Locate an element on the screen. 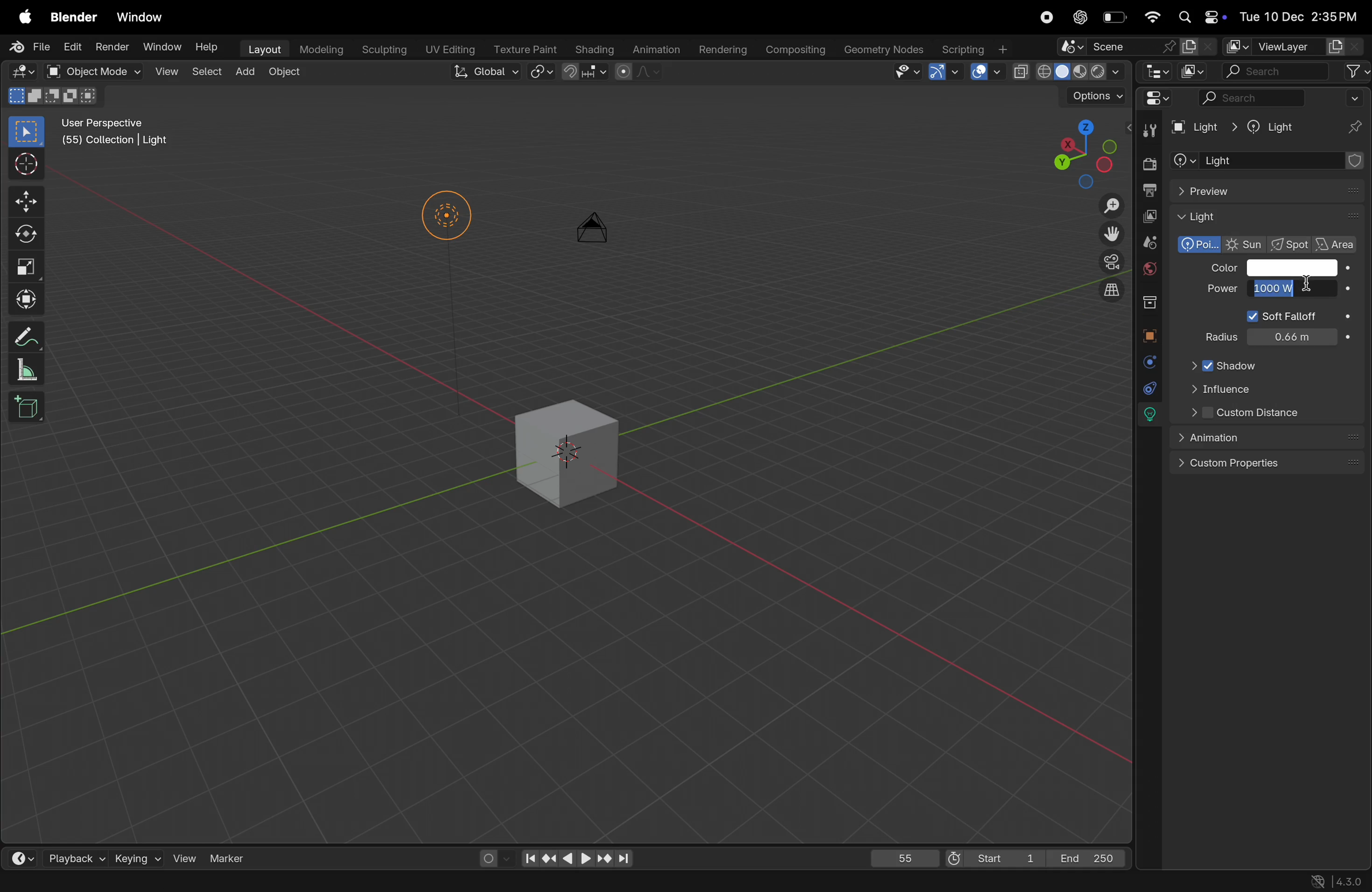 This screenshot has width=1372, height=892. Objects is located at coordinates (209, 882).